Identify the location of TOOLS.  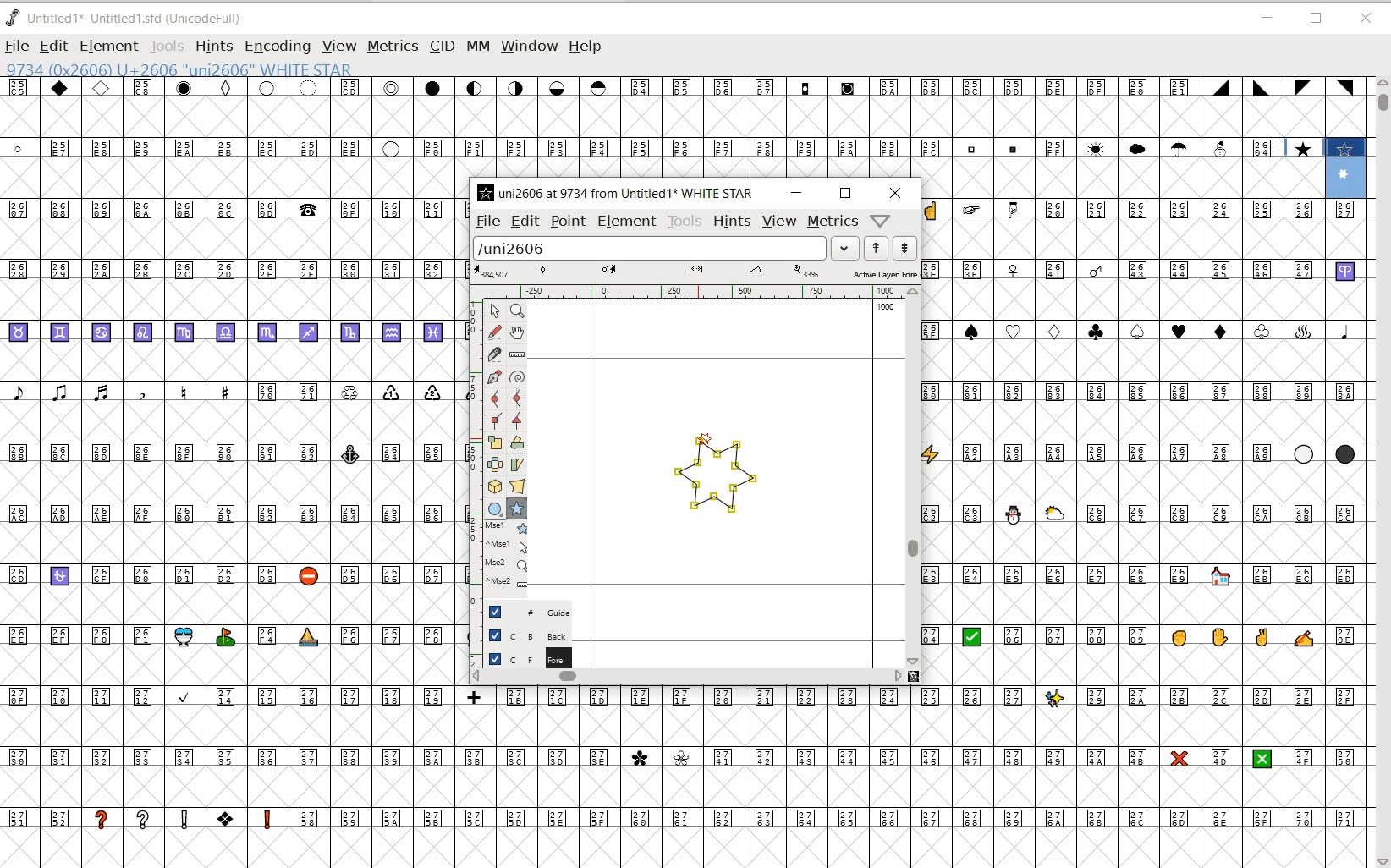
(168, 47).